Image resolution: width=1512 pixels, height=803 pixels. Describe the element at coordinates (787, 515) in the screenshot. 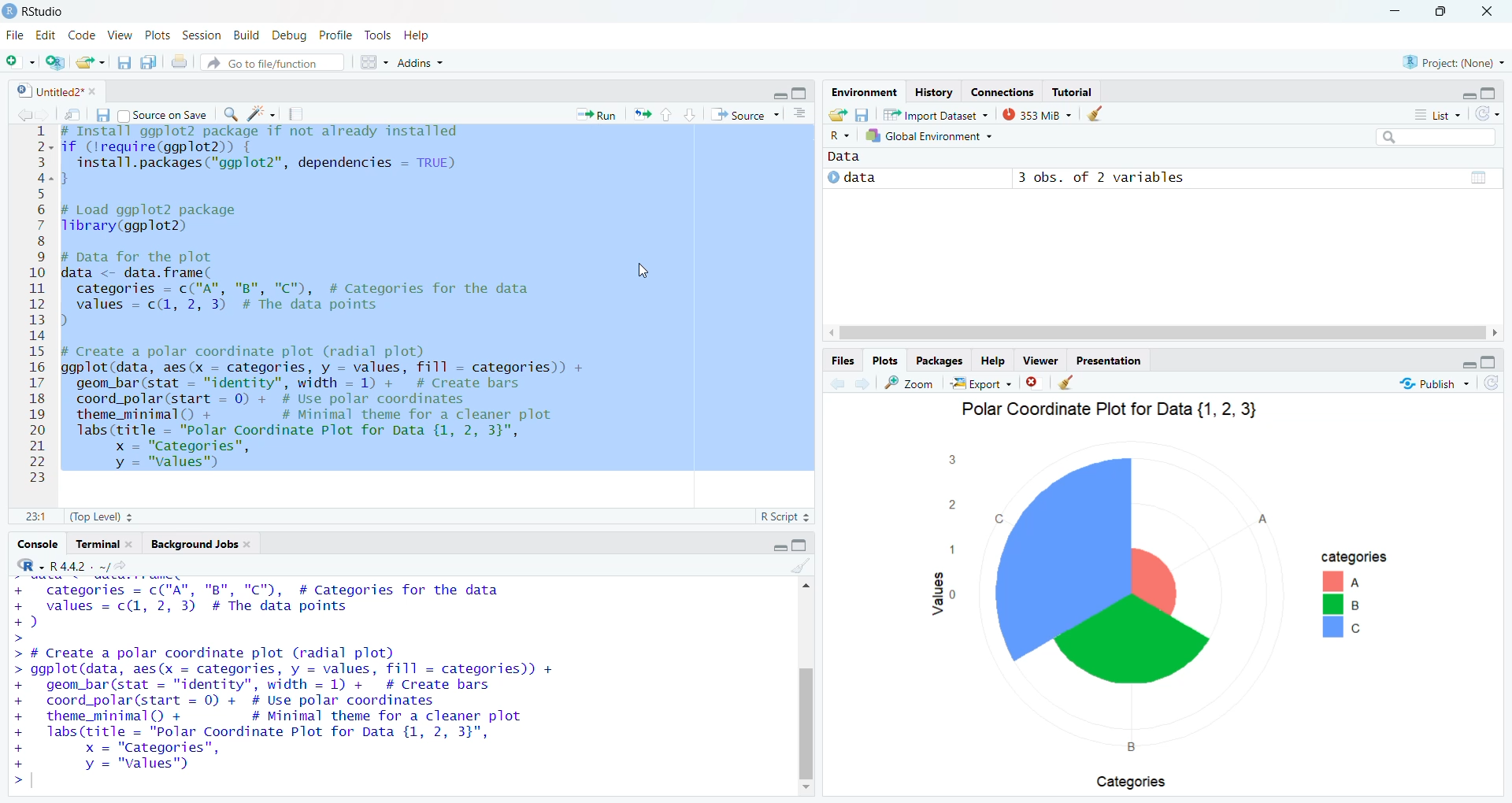

I see `R Script 3` at that location.